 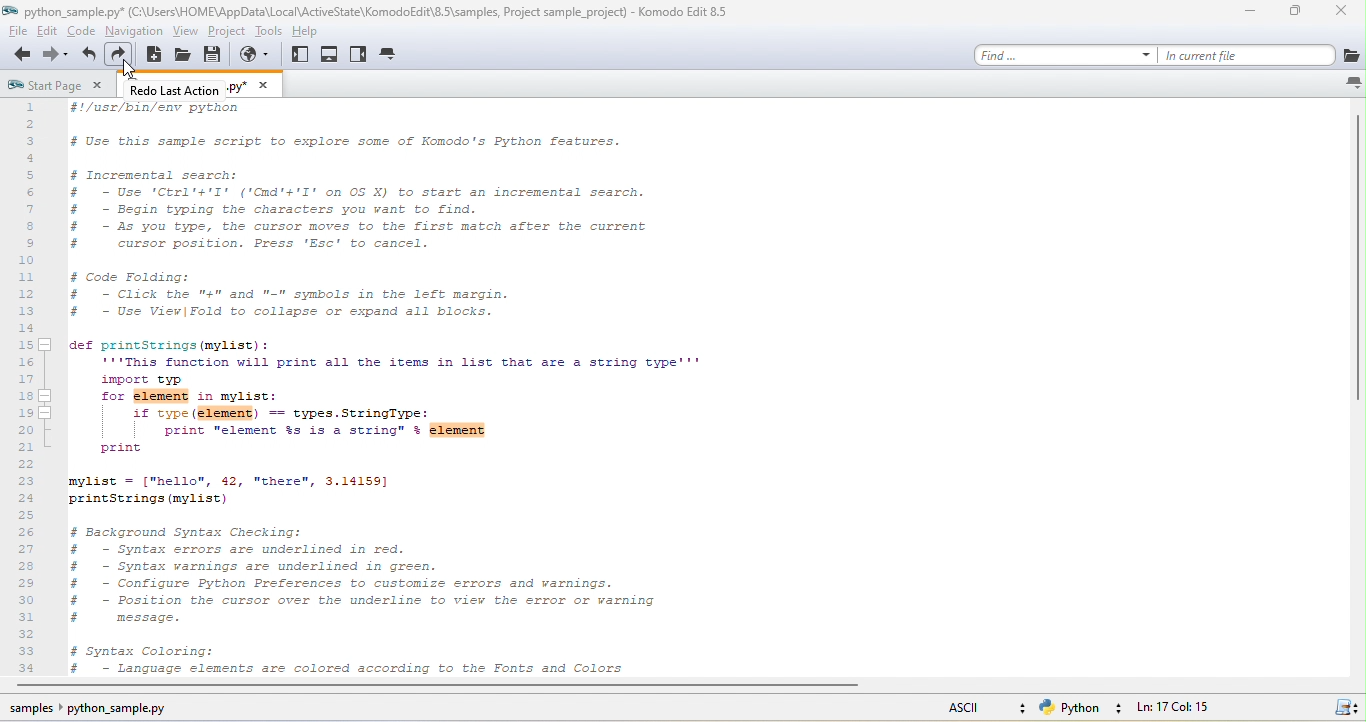 I want to click on file, so click(x=15, y=32).